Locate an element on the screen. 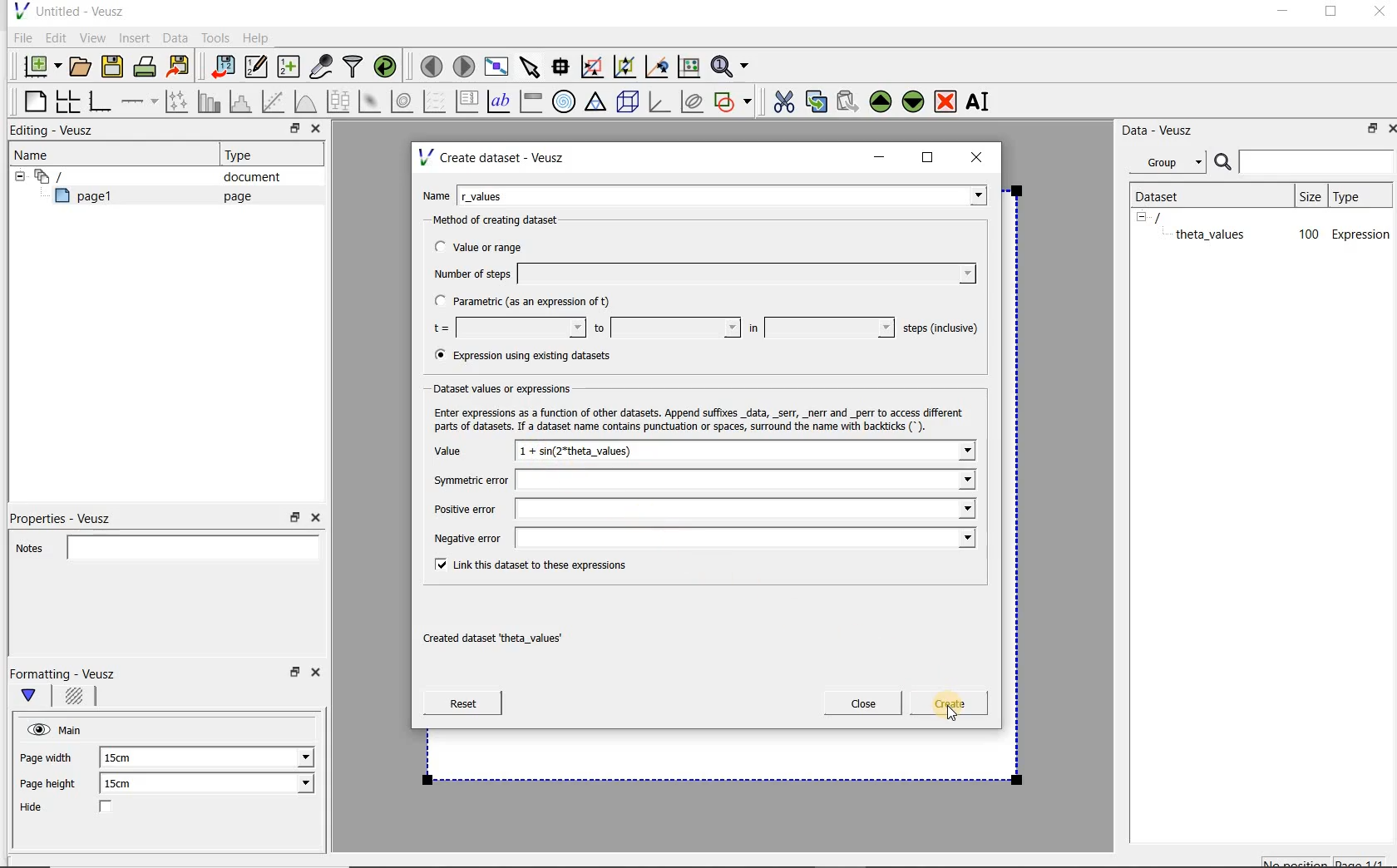 This screenshot has width=1397, height=868. restore down is located at coordinates (1368, 131).